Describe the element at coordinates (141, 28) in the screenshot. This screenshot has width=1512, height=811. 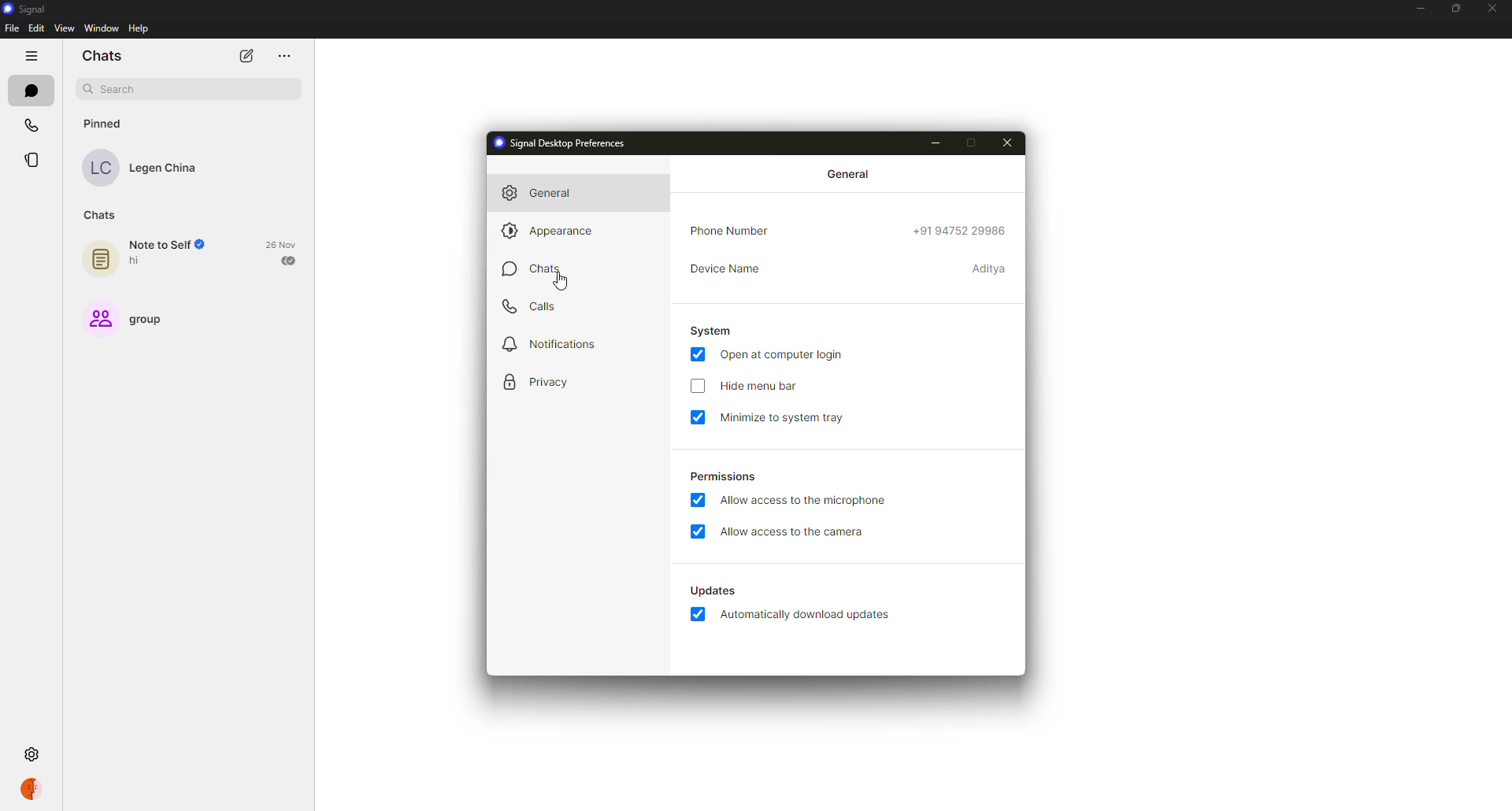
I see `help` at that location.